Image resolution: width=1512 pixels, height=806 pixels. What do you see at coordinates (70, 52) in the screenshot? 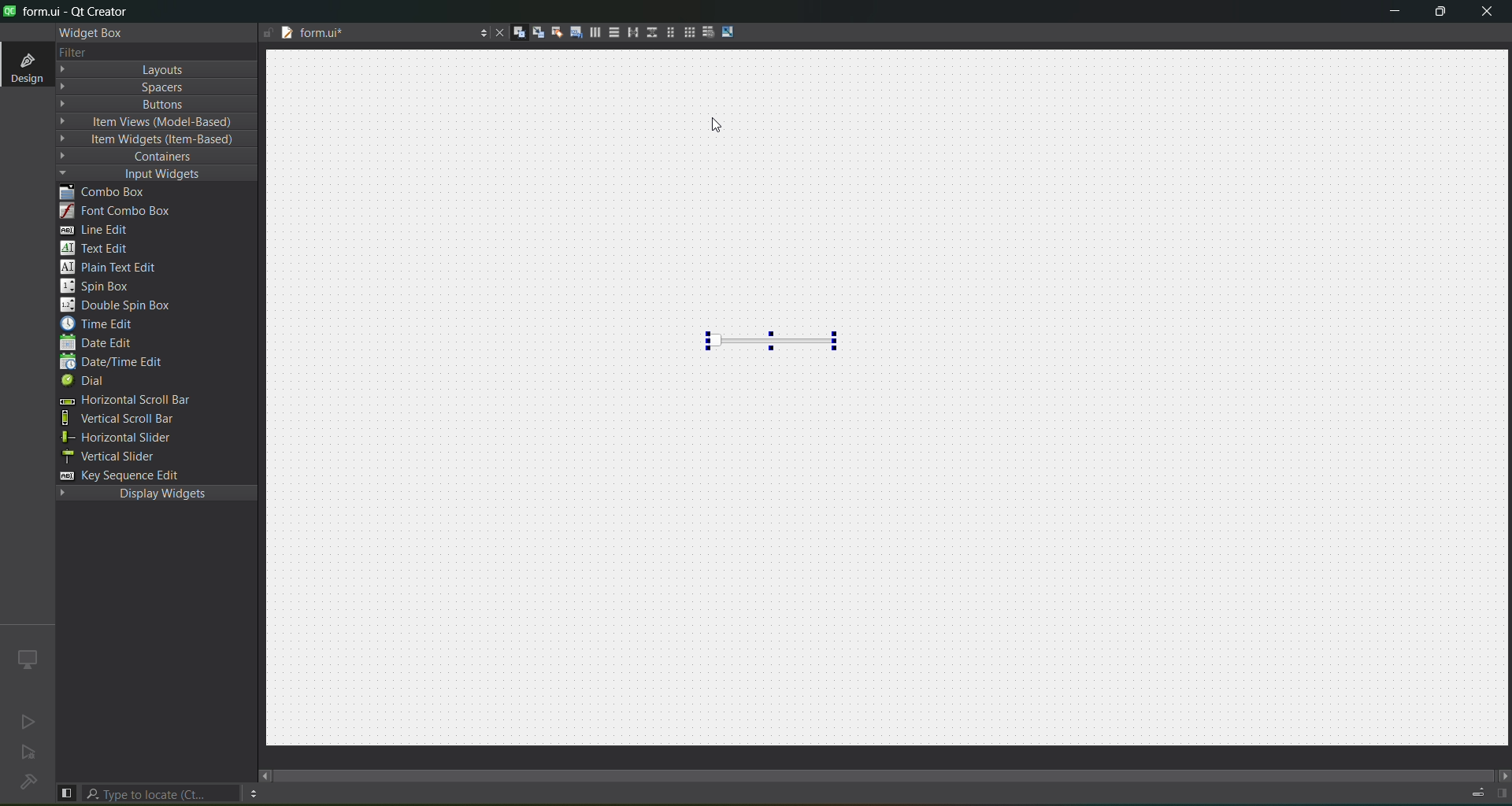
I see `filter` at bounding box center [70, 52].